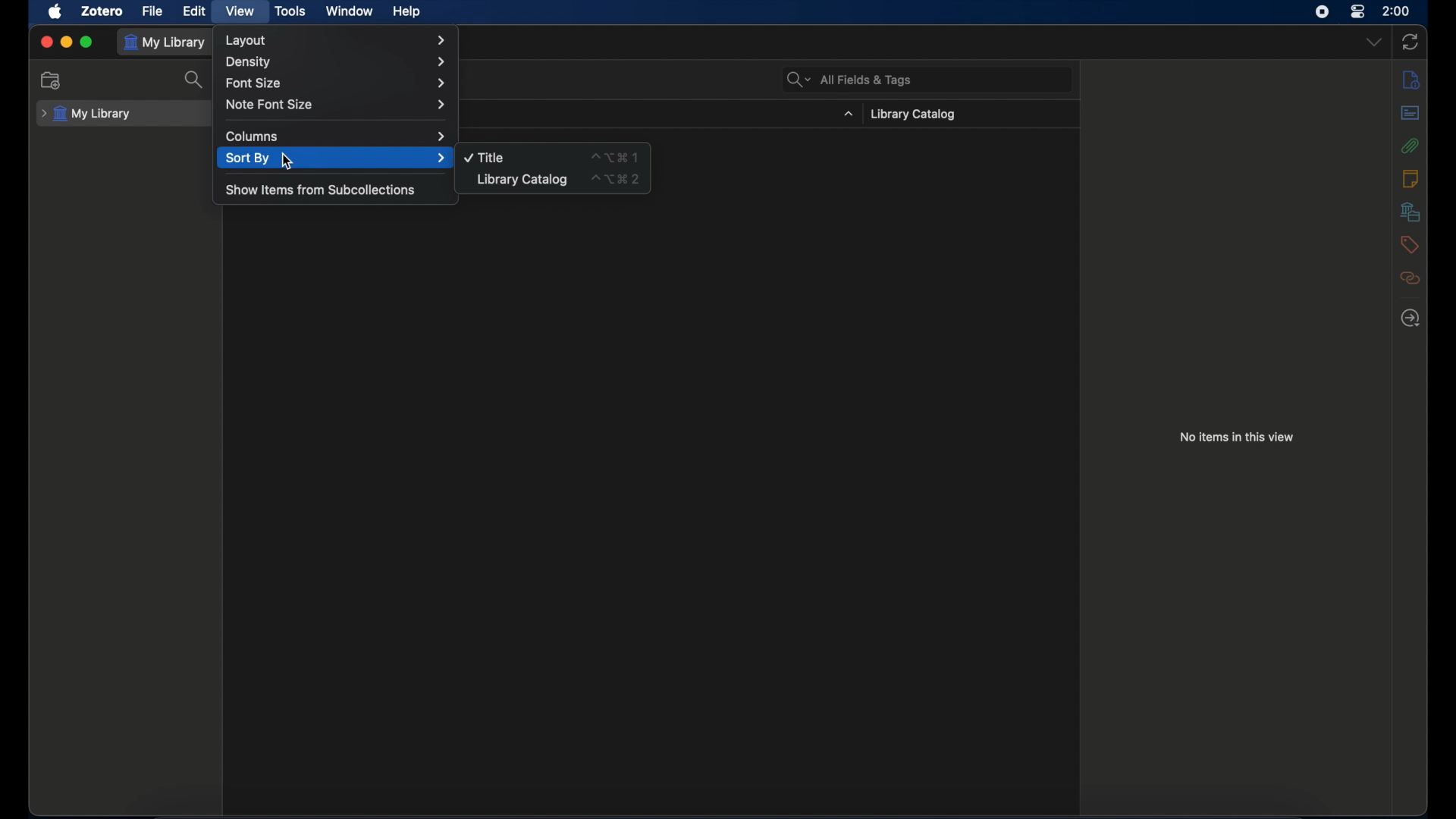 This screenshot has height=819, width=1456. I want to click on shortcut, so click(614, 157).